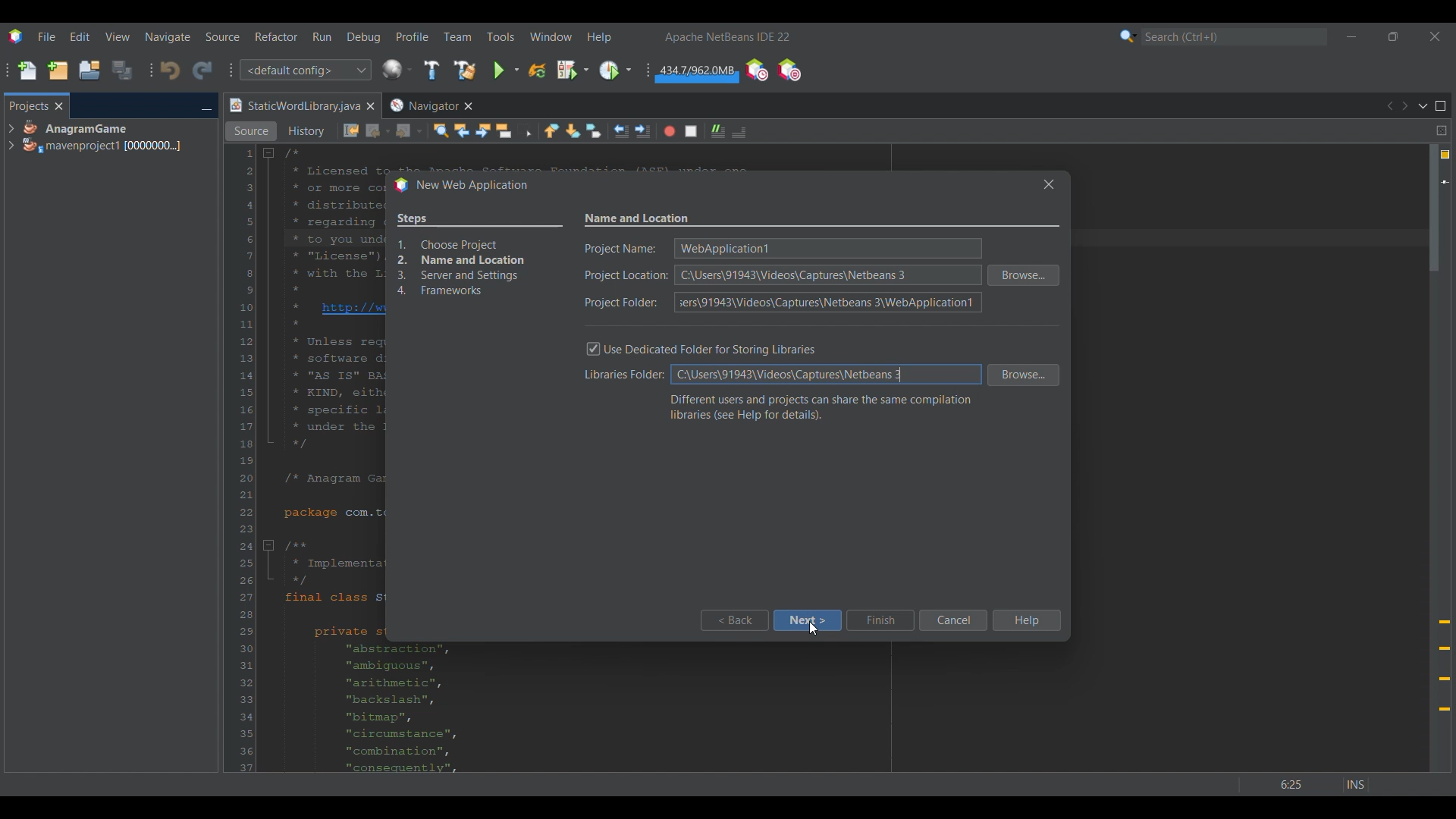 The image size is (1456, 819). I want to click on Section description, so click(821, 407).